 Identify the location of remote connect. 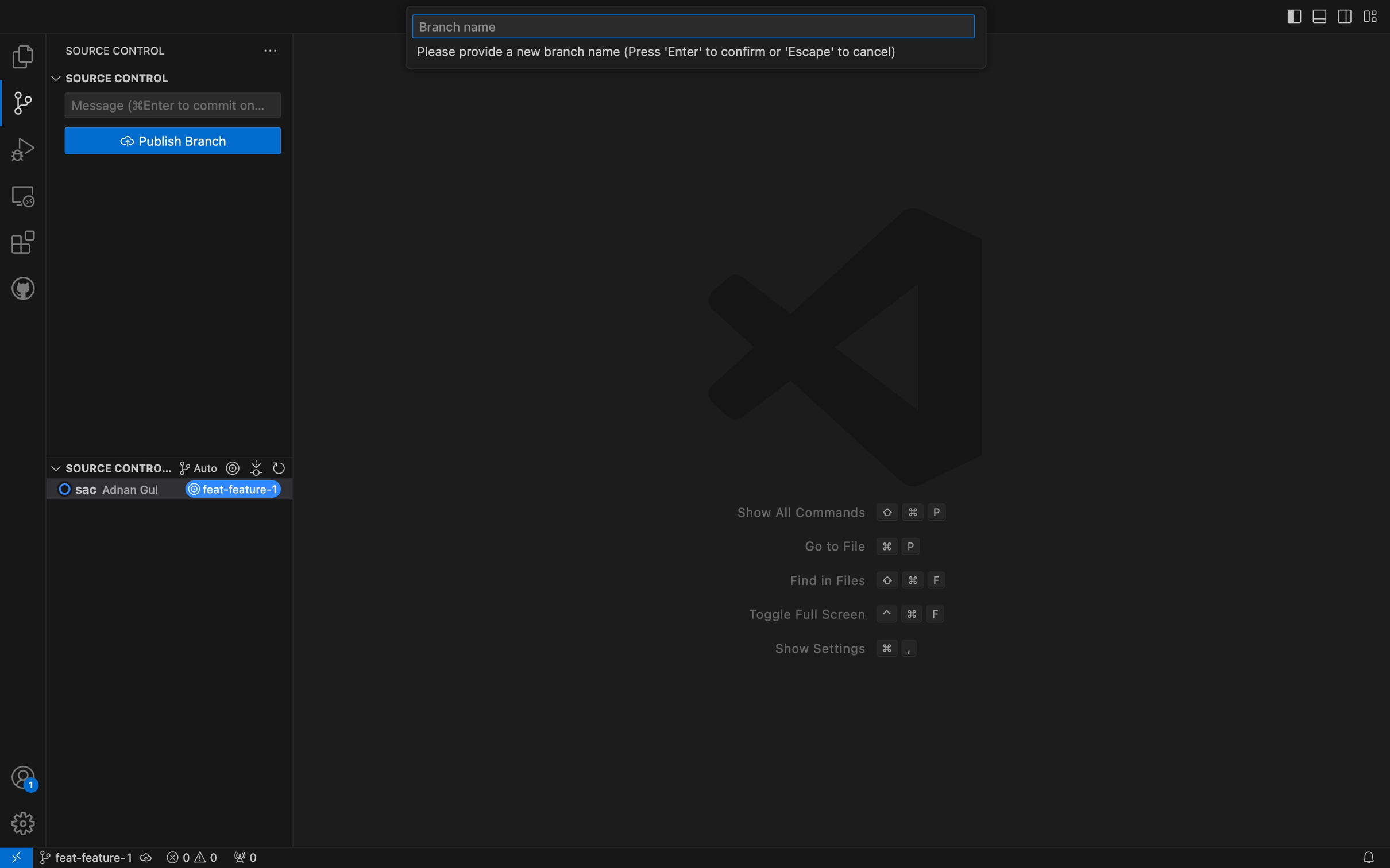
(16, 858).